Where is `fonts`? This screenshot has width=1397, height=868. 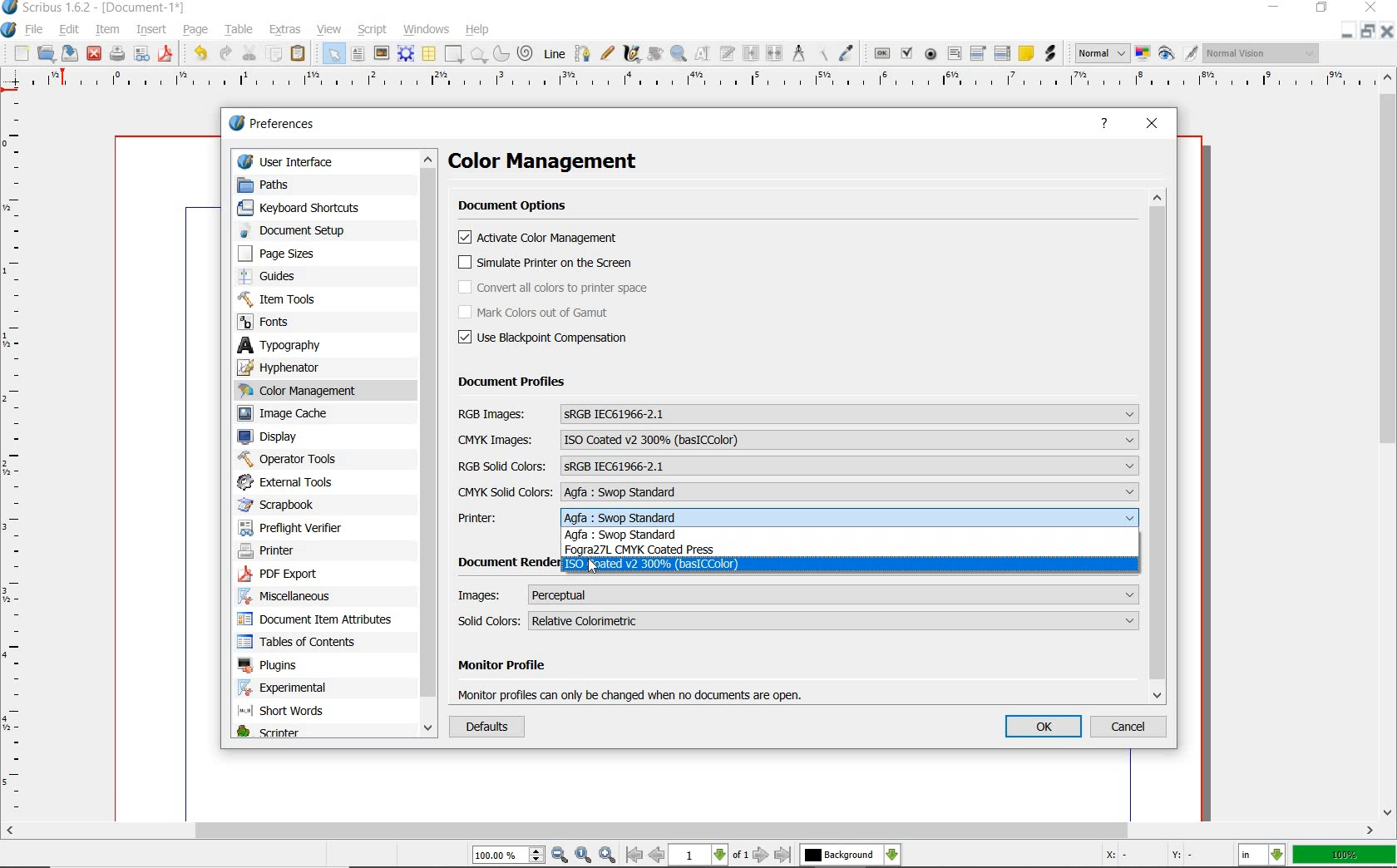
fonts is located at coordinates (295, 321).